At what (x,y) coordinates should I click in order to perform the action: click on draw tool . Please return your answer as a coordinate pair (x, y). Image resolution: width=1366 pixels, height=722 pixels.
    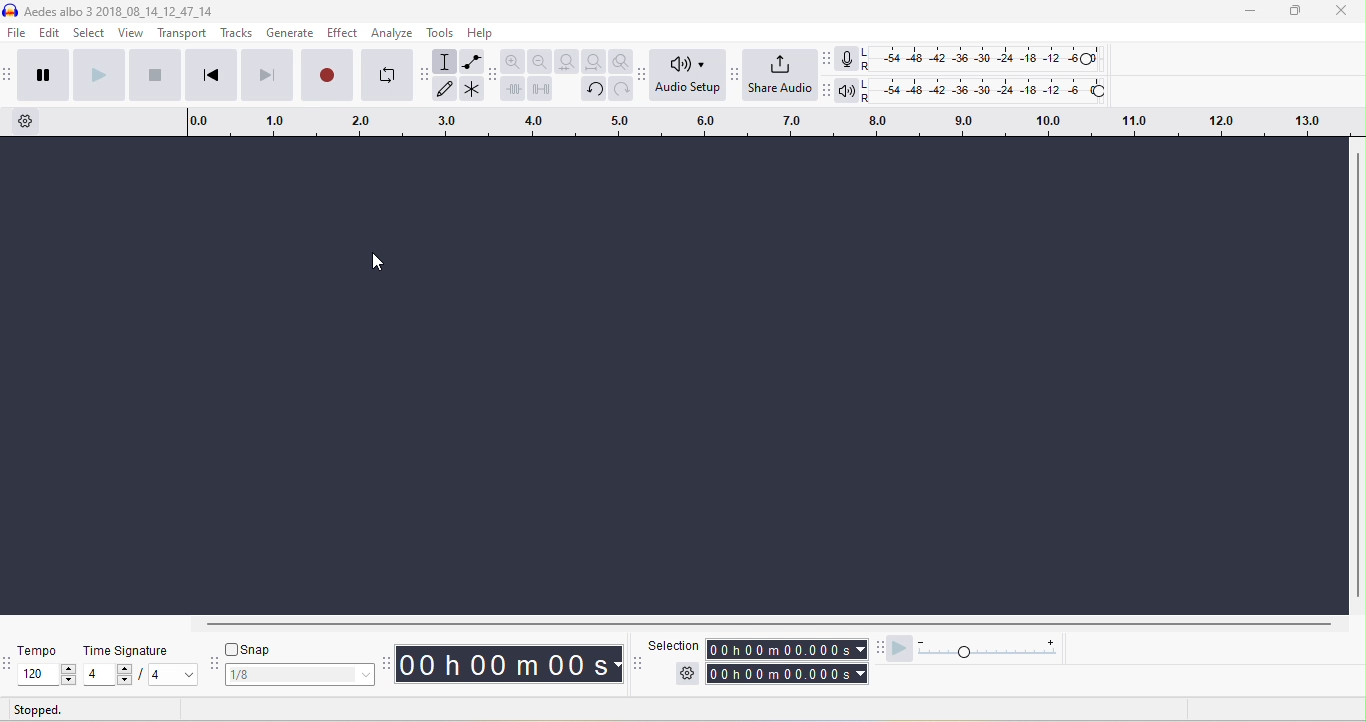
    Looking at the image, I should click on (445, 87).